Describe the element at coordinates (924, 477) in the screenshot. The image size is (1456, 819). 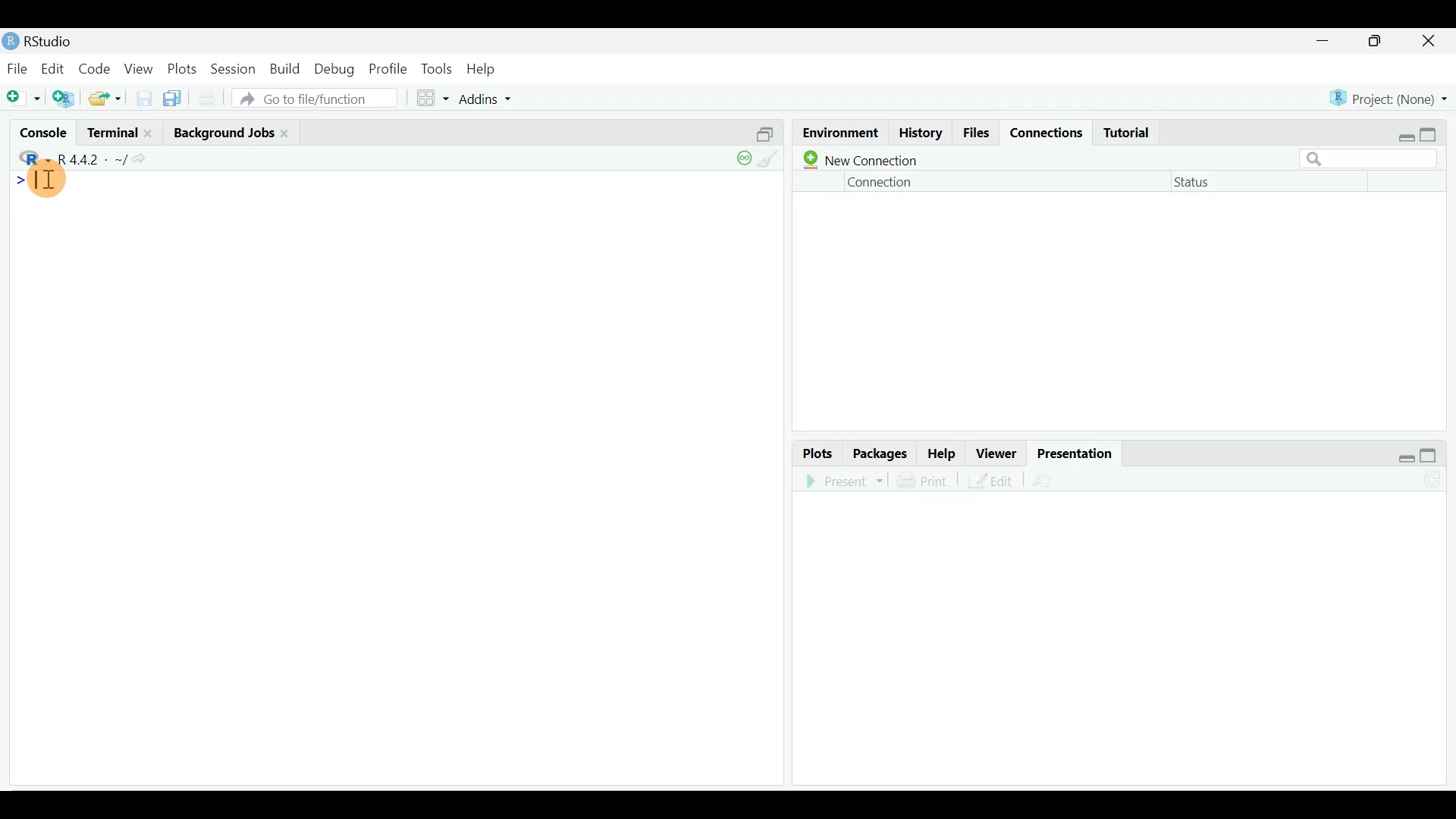
I see `Print` at that location.